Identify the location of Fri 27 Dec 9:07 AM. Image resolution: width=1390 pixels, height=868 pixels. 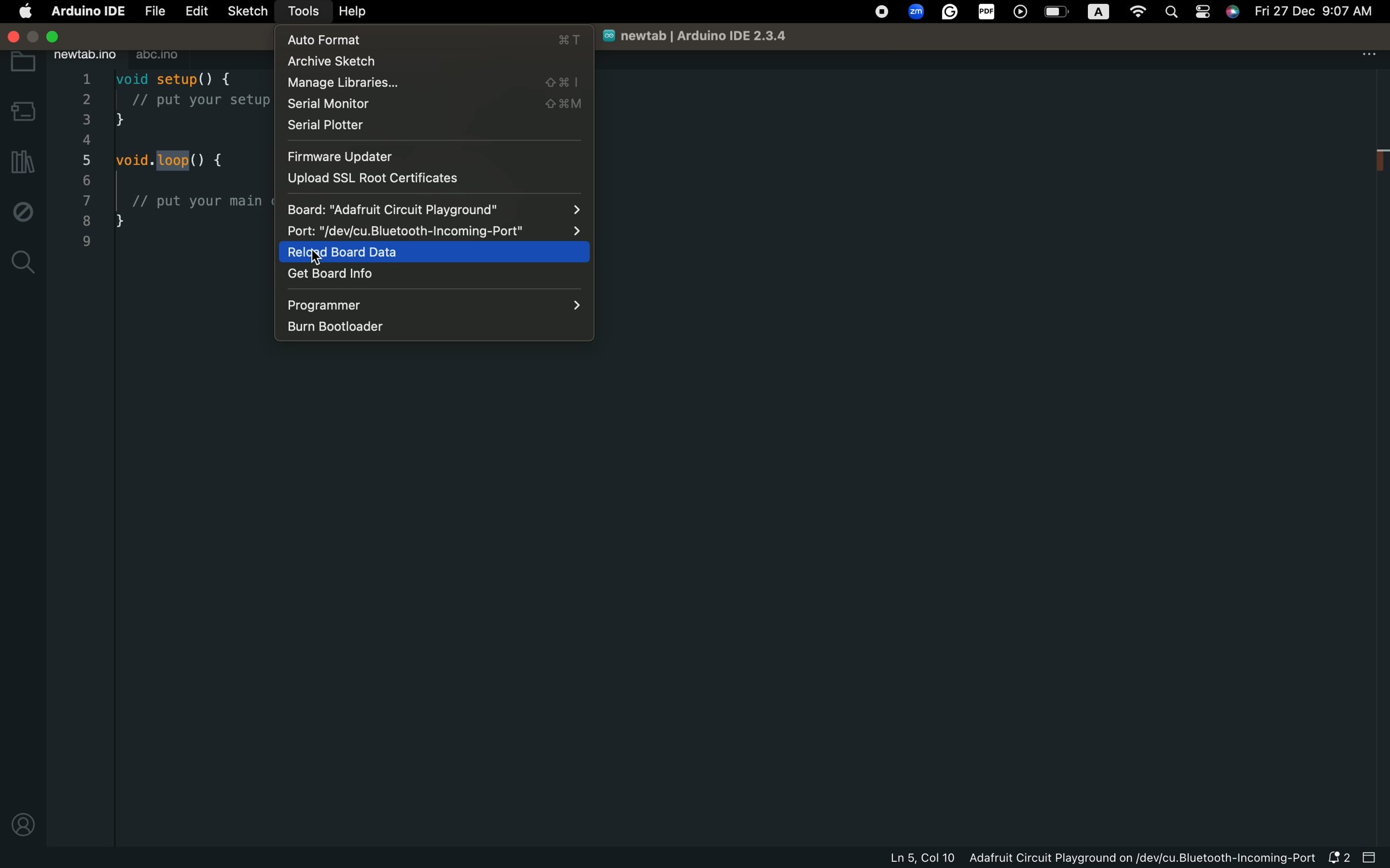
(1312, 10).